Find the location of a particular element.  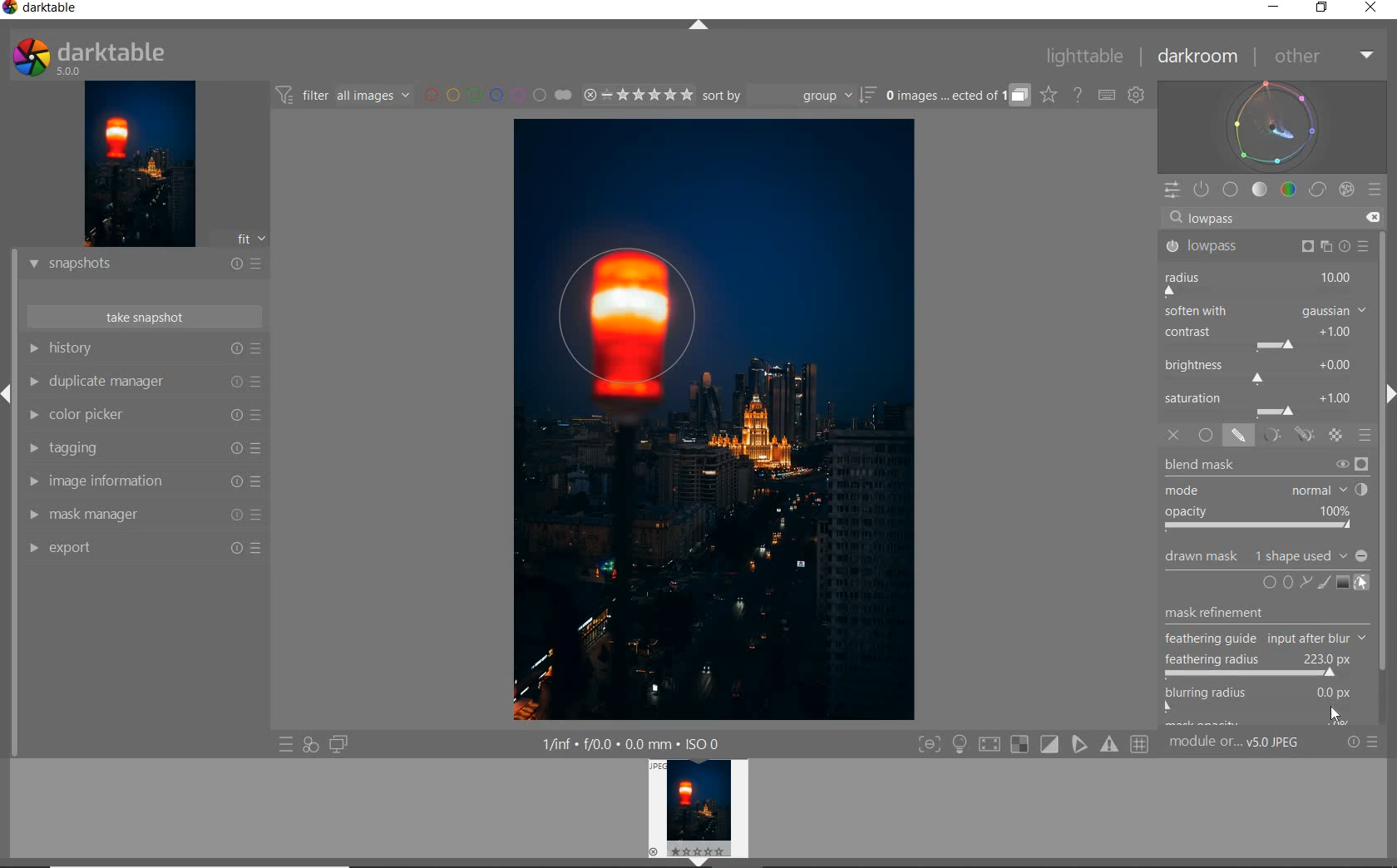

COLOR PICKER is located at coordinates (146, 416).